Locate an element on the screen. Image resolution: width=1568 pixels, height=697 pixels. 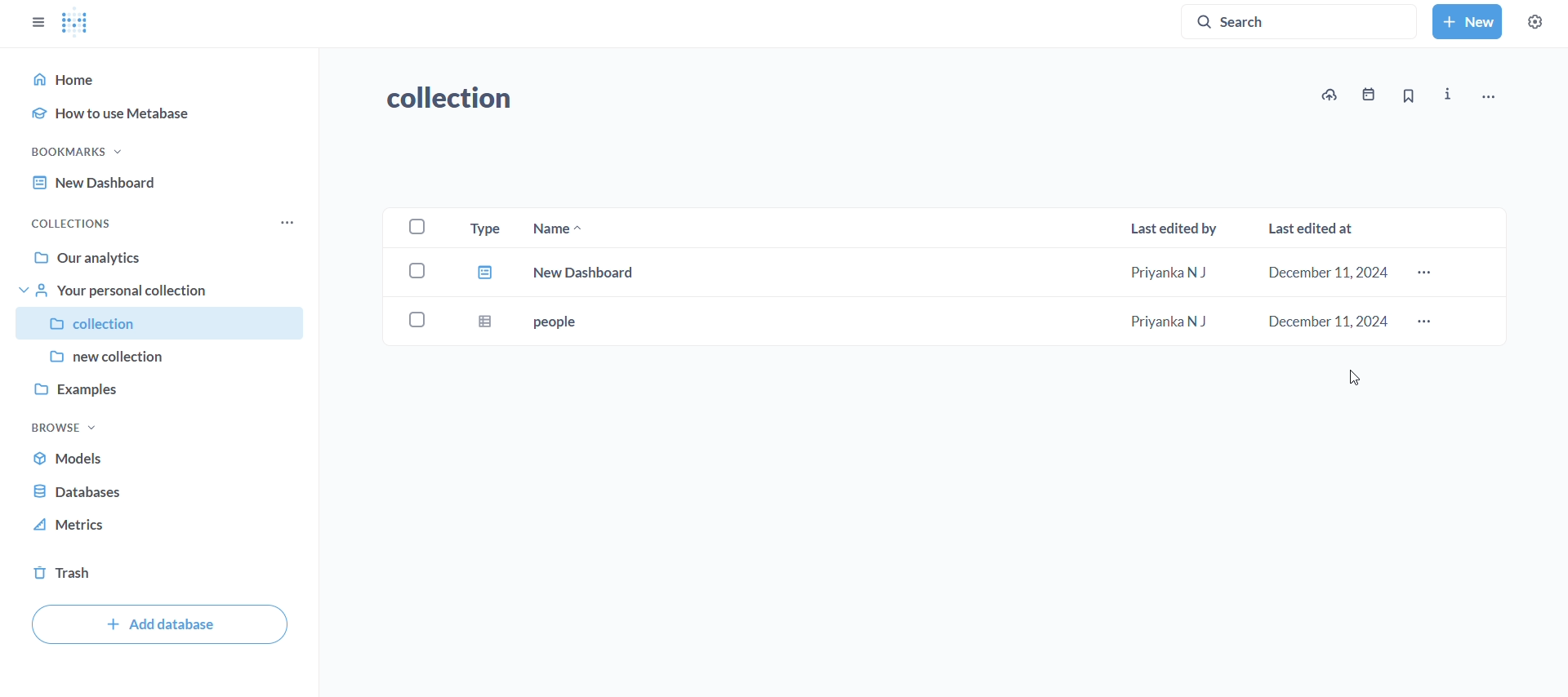
new is located at coordinates (1467, 20).